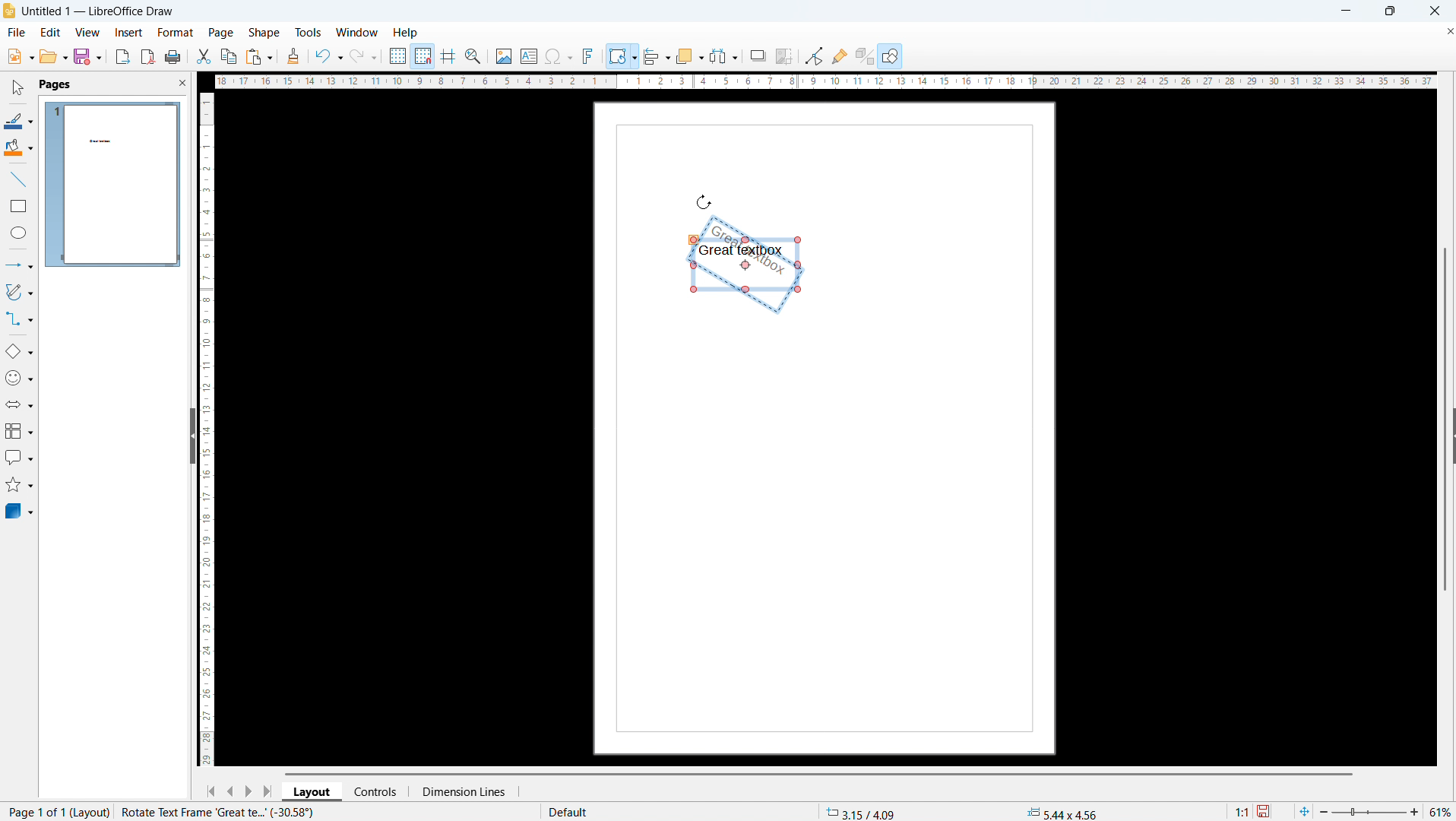  What do you see at coordinates (221, 33) in the screenshot?
I see `page` at bounding box center [221, 33].